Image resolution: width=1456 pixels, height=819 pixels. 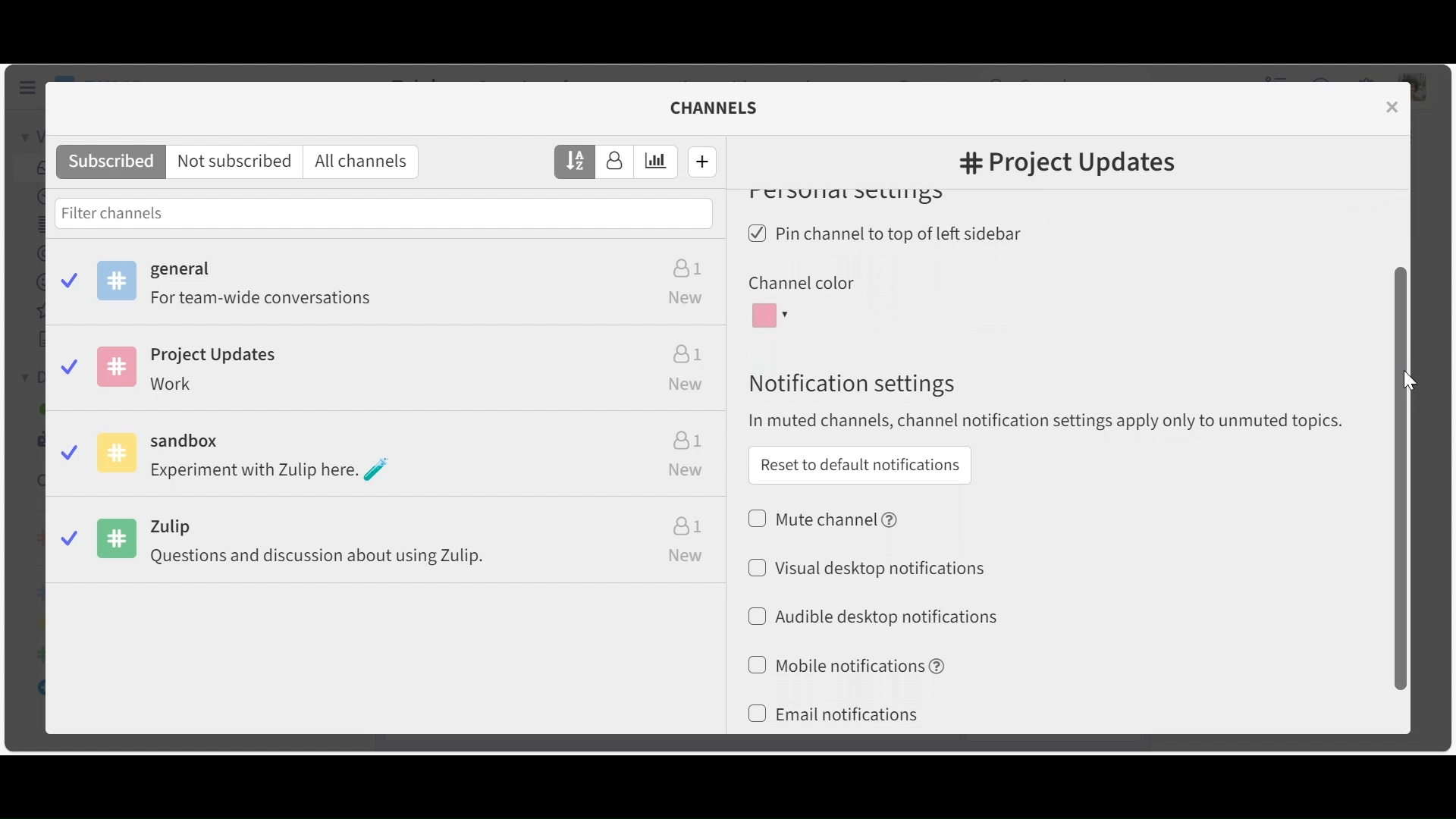 I want to click on #Channel, so click(x=1067, y=165).